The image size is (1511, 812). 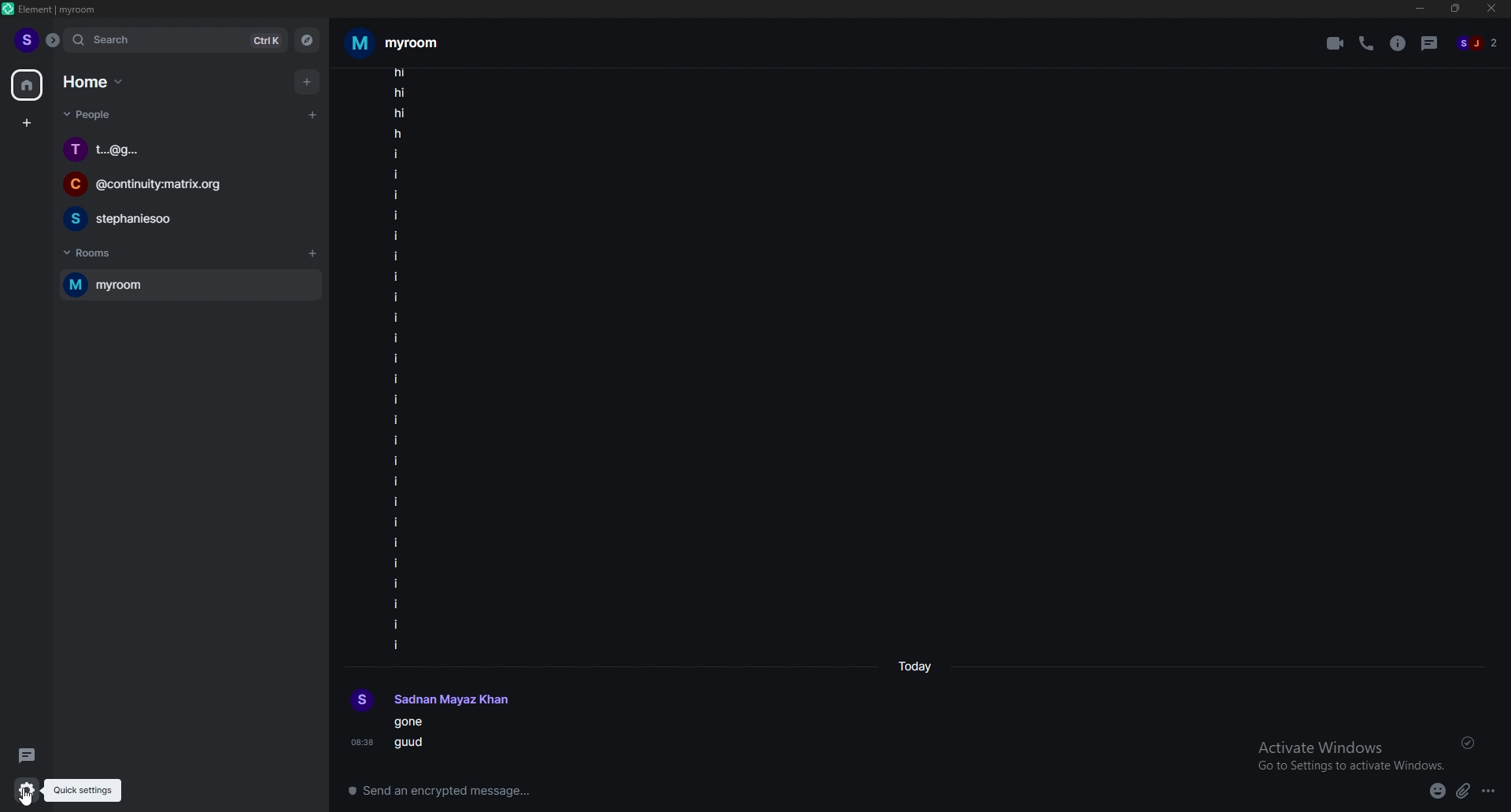 What do you see at coordinates (397, 359) in the screenshot?
I see `texts` at bounding box center [397, 359].